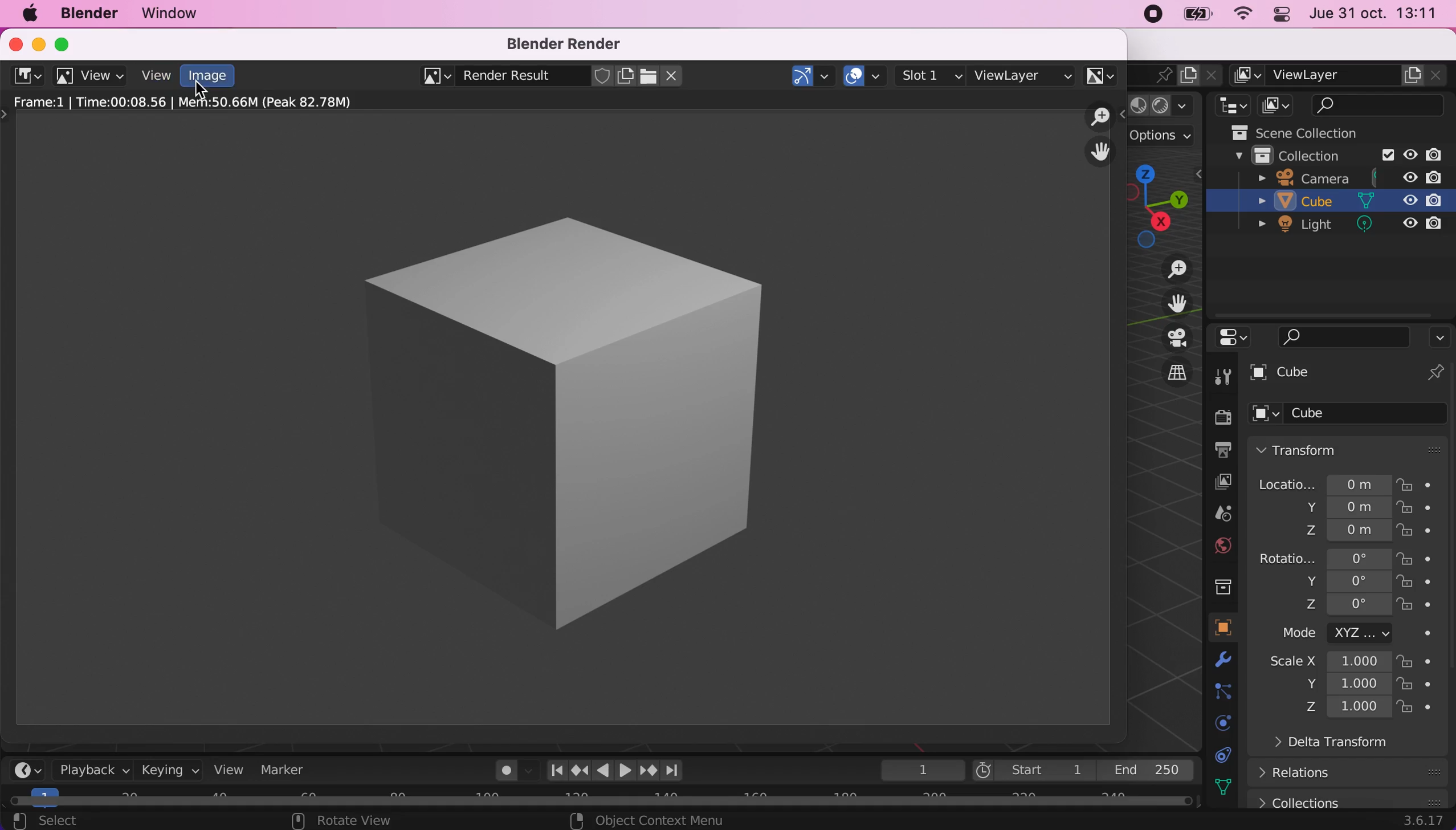 Image resolution: width=1456 pixels, height=830 pixels. What do you see at coordinates (602, 76) in the screenshot?
I see `fake user` at bounding box center [602, 76].